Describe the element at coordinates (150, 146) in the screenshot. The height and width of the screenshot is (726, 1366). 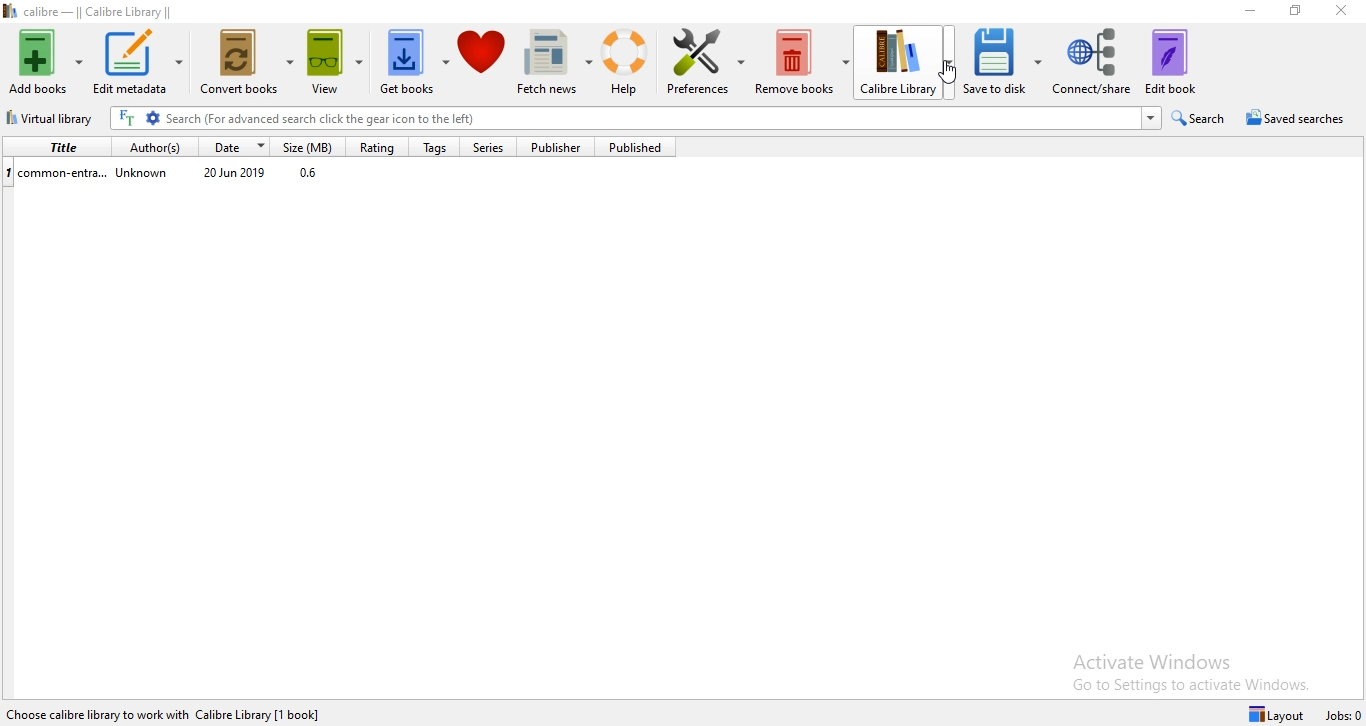
I see `Author(s)` at that location.